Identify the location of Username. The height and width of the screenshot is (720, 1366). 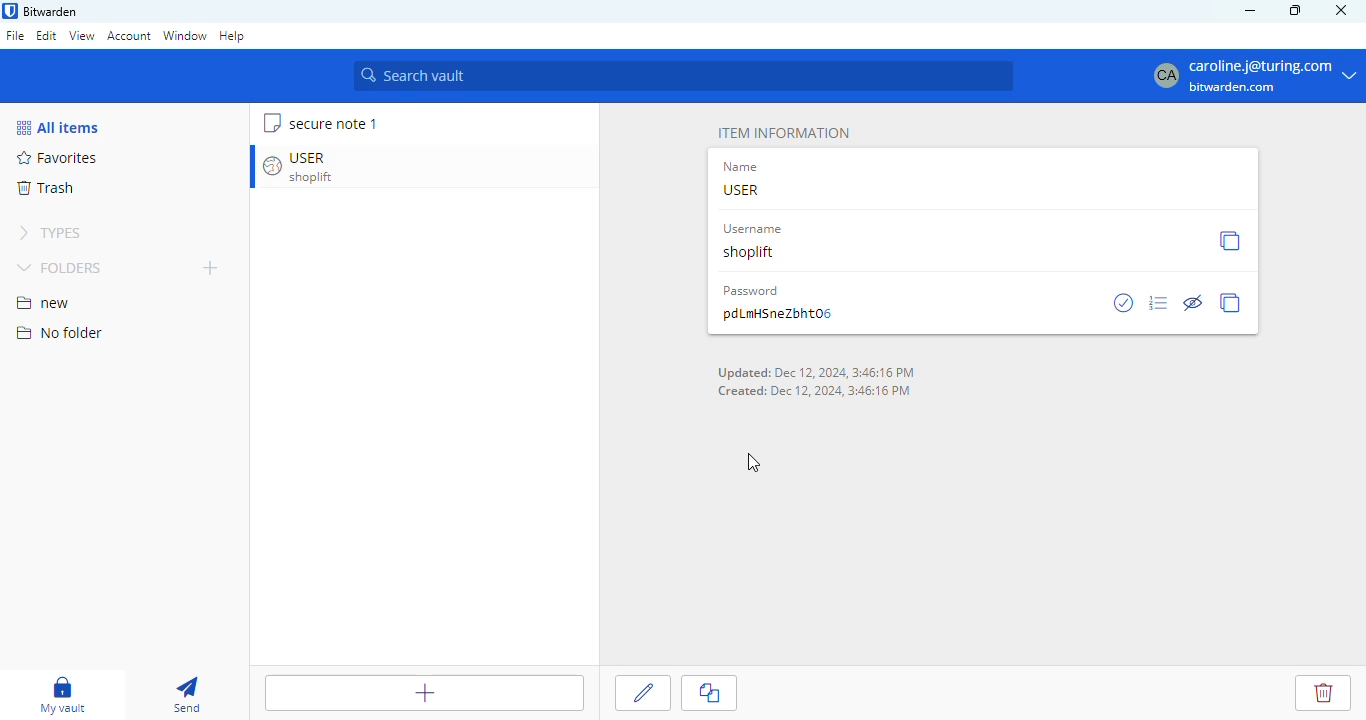
(755, 230).